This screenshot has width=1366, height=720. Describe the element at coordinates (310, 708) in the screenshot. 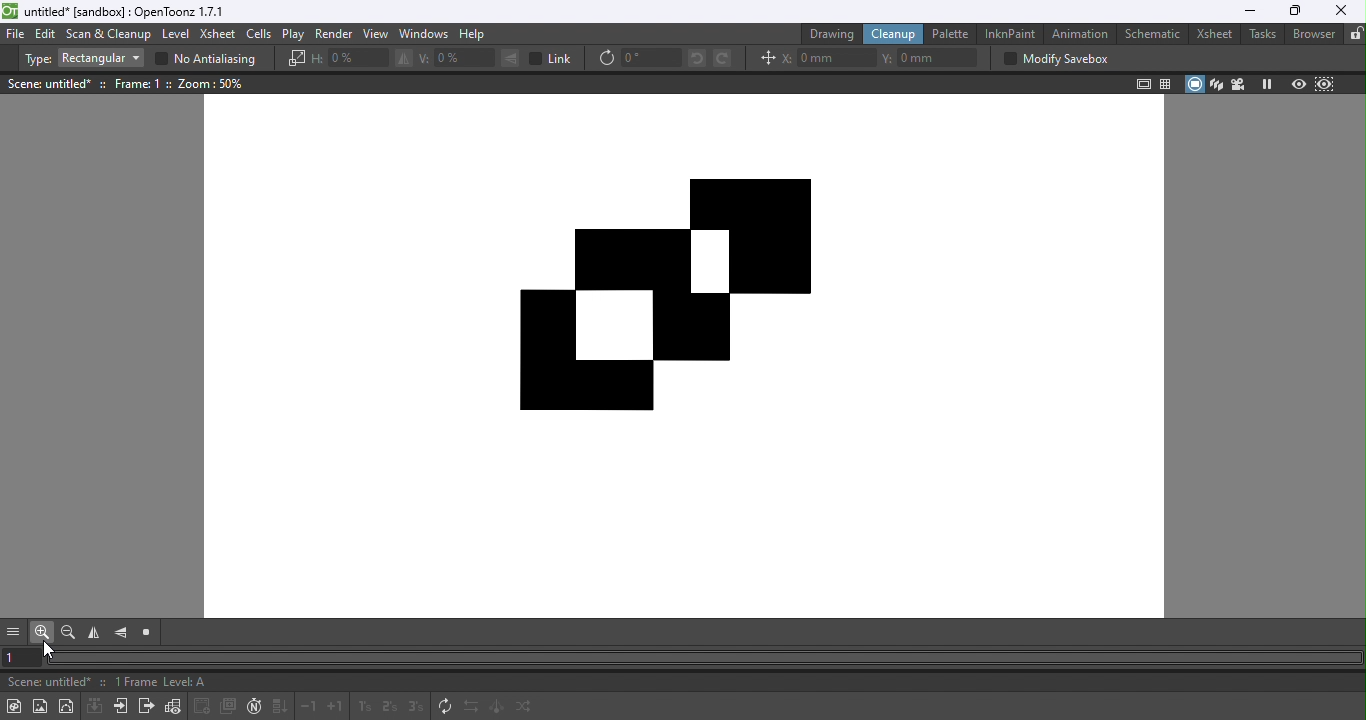

I see `Decrease step` at that location.